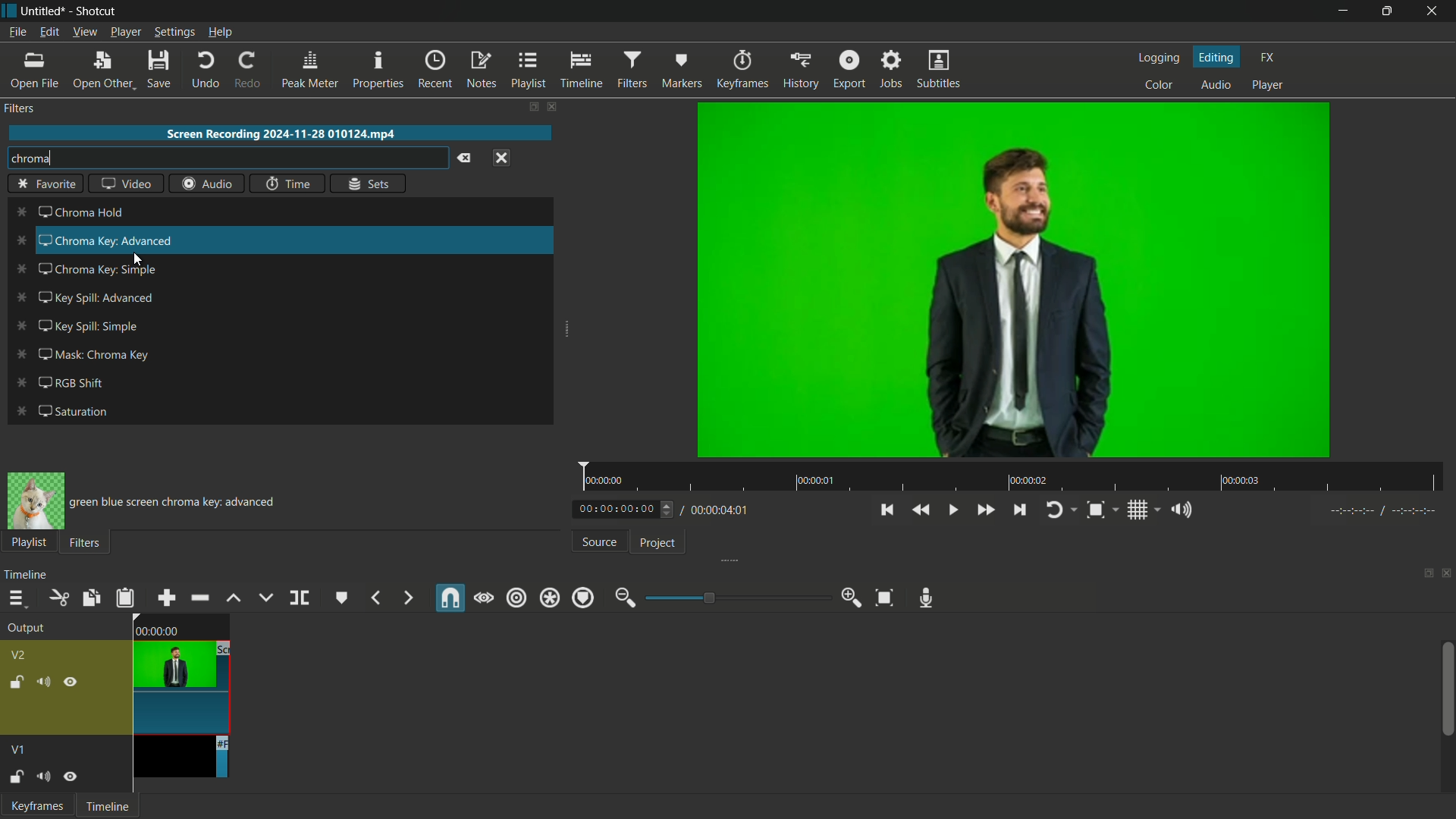 This screenshot has width=1456, height=819. Describe the element at coordinates (36, 501) in the screenshot. I see `Cat` at that location.